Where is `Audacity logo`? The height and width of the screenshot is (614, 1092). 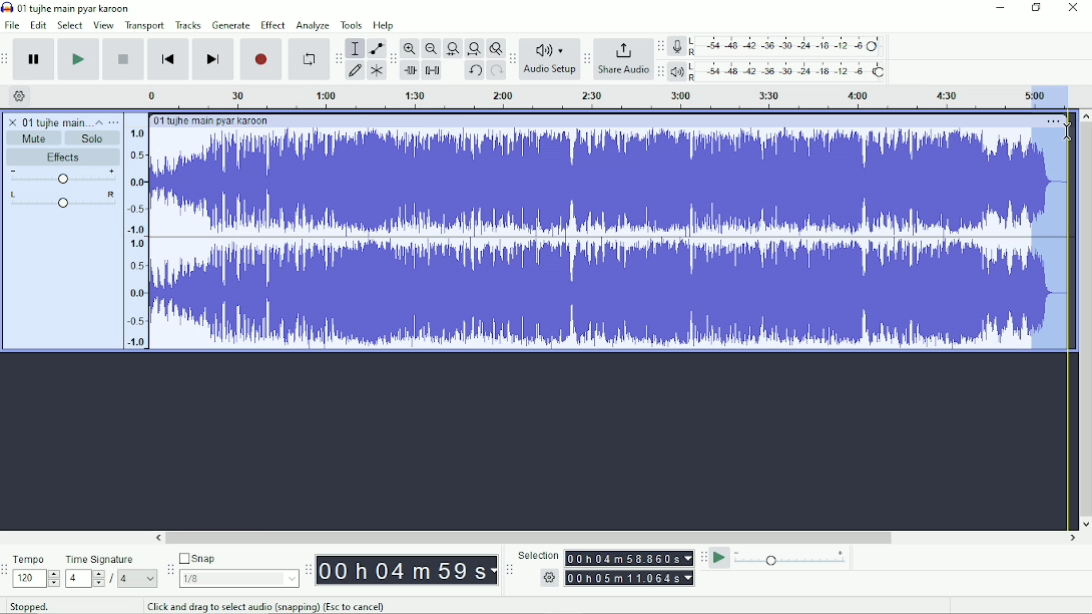
Audacity logo is located at coordinates (7, 8).